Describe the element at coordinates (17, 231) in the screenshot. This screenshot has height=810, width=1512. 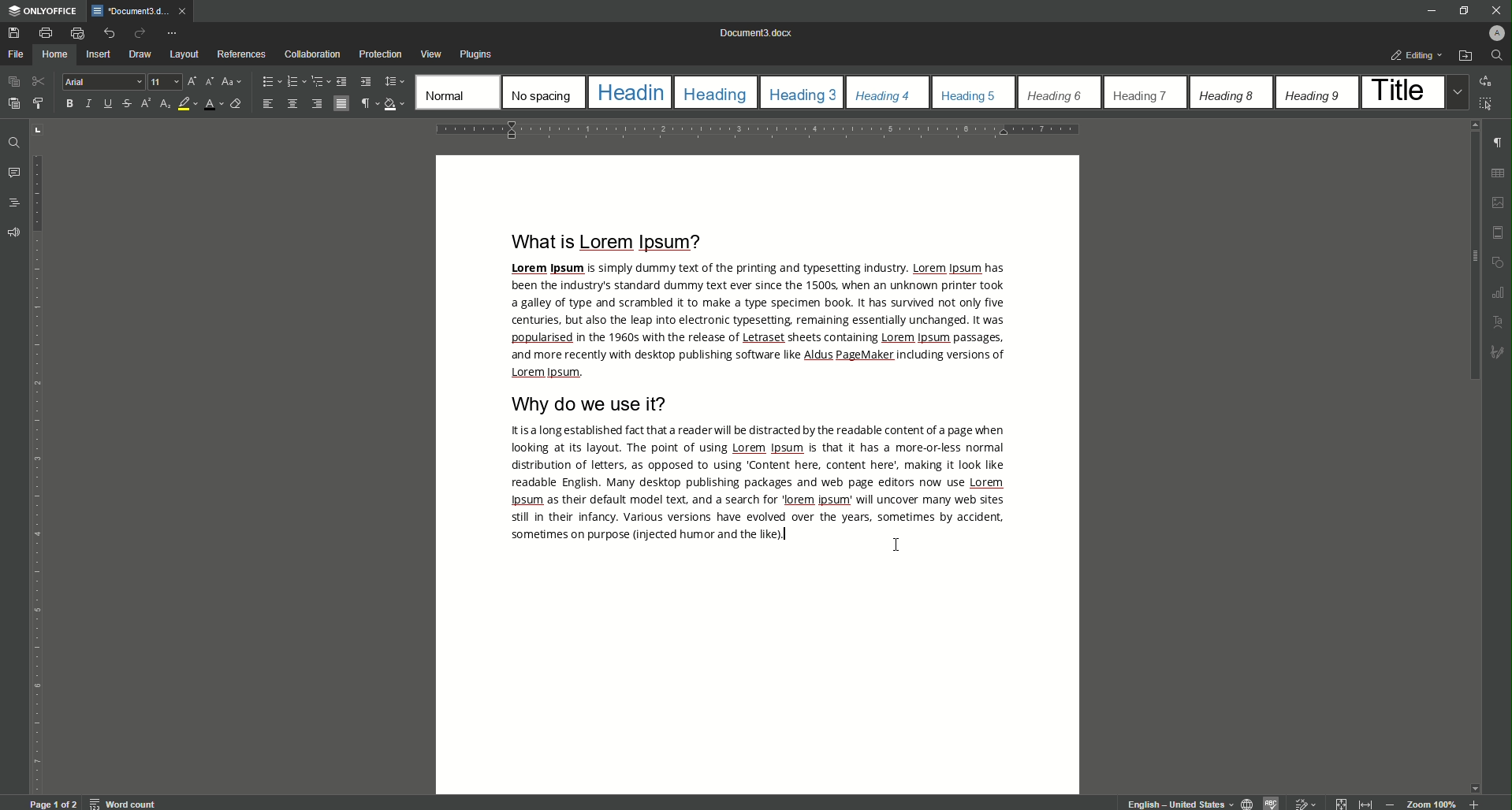
I see `Feedback` at that location.